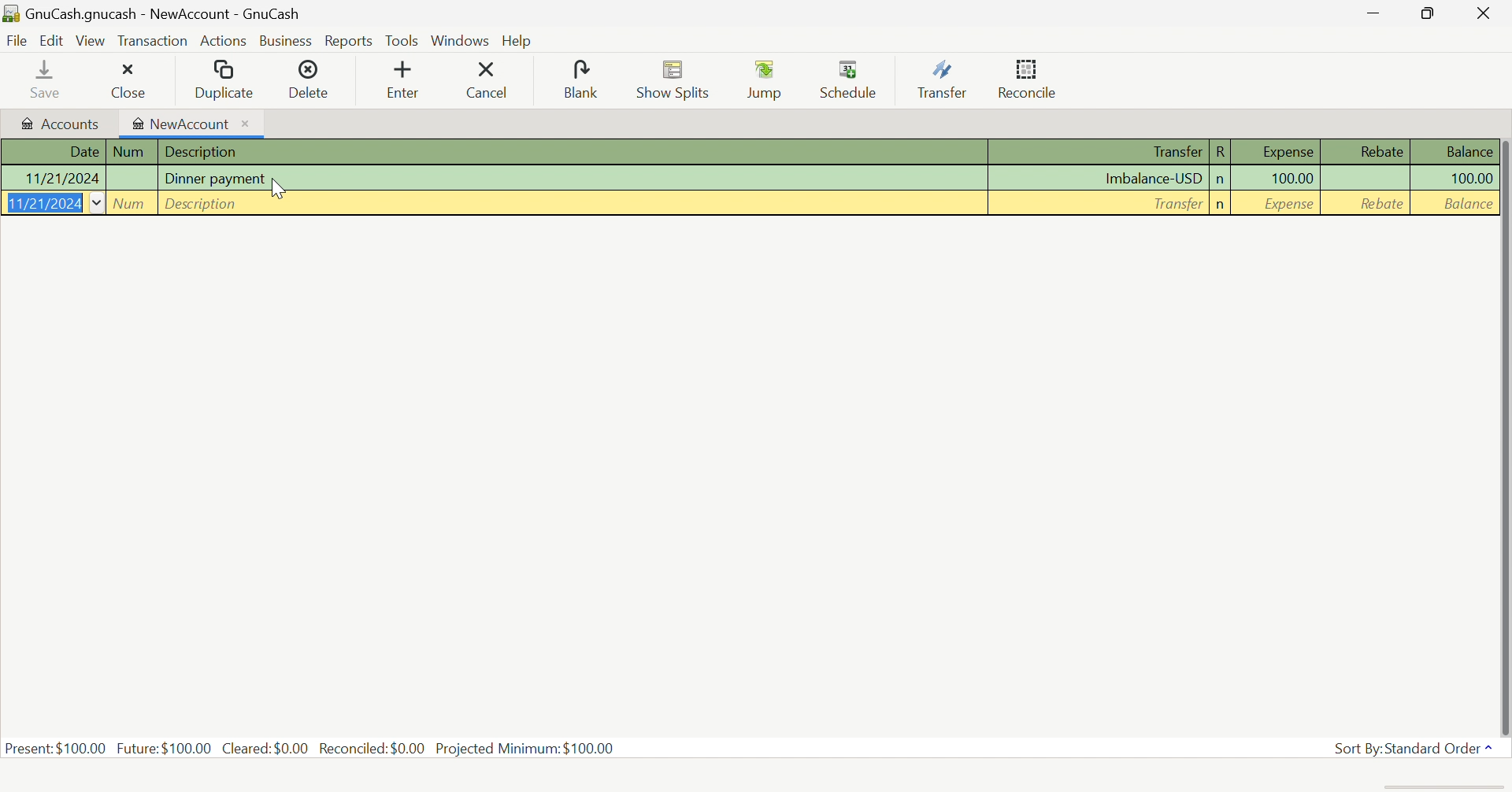  What do you see at coordinates (1291, 180) in the screenshot?
I see `100.00` at bounding box center [1291, 180].